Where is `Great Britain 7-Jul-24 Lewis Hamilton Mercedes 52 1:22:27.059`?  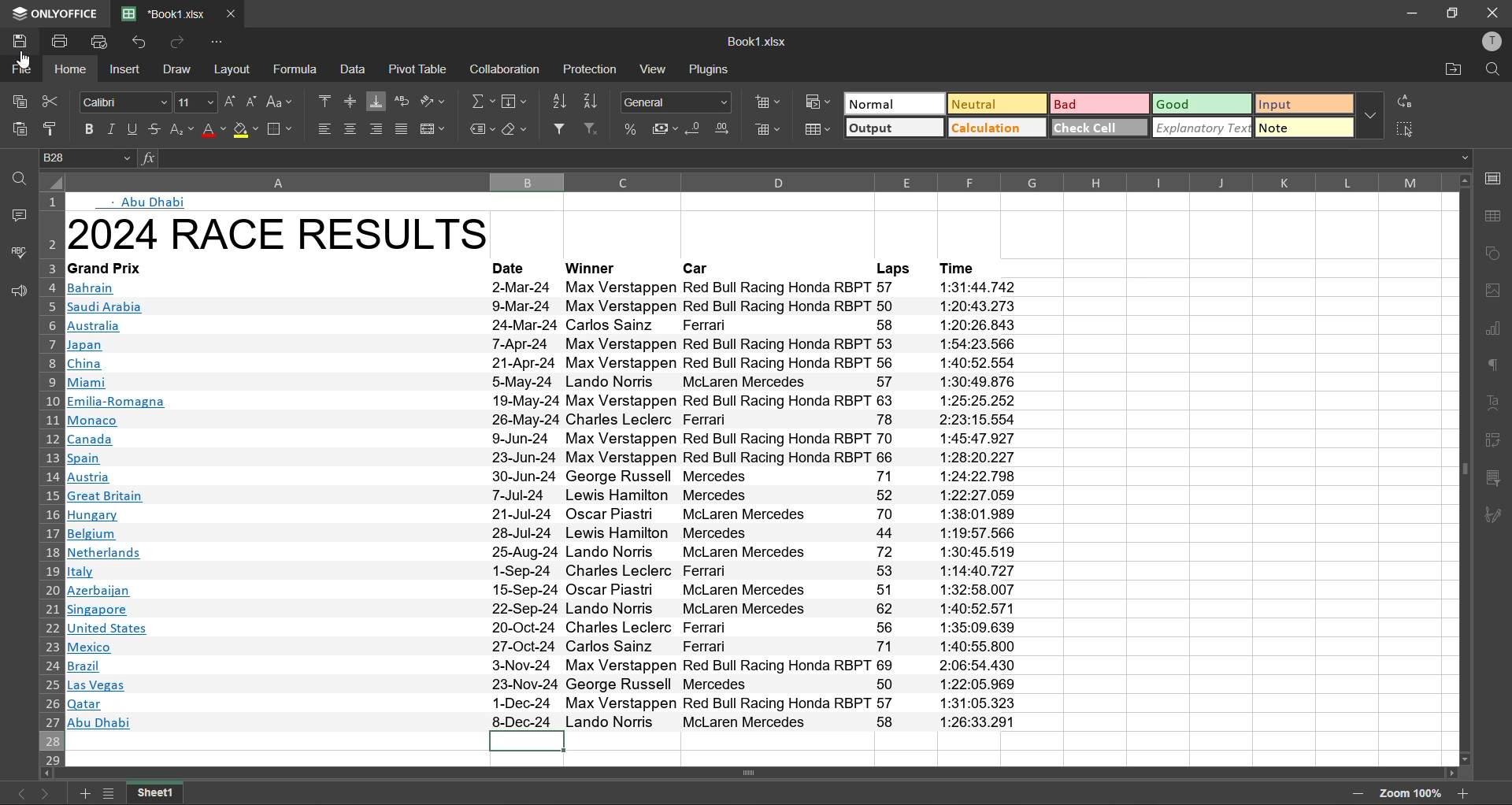 Great Britain 7-Jul-24 Lewis Hamilton Mercedes 52 1:22:27.059 is located at coordinates (550, 495).